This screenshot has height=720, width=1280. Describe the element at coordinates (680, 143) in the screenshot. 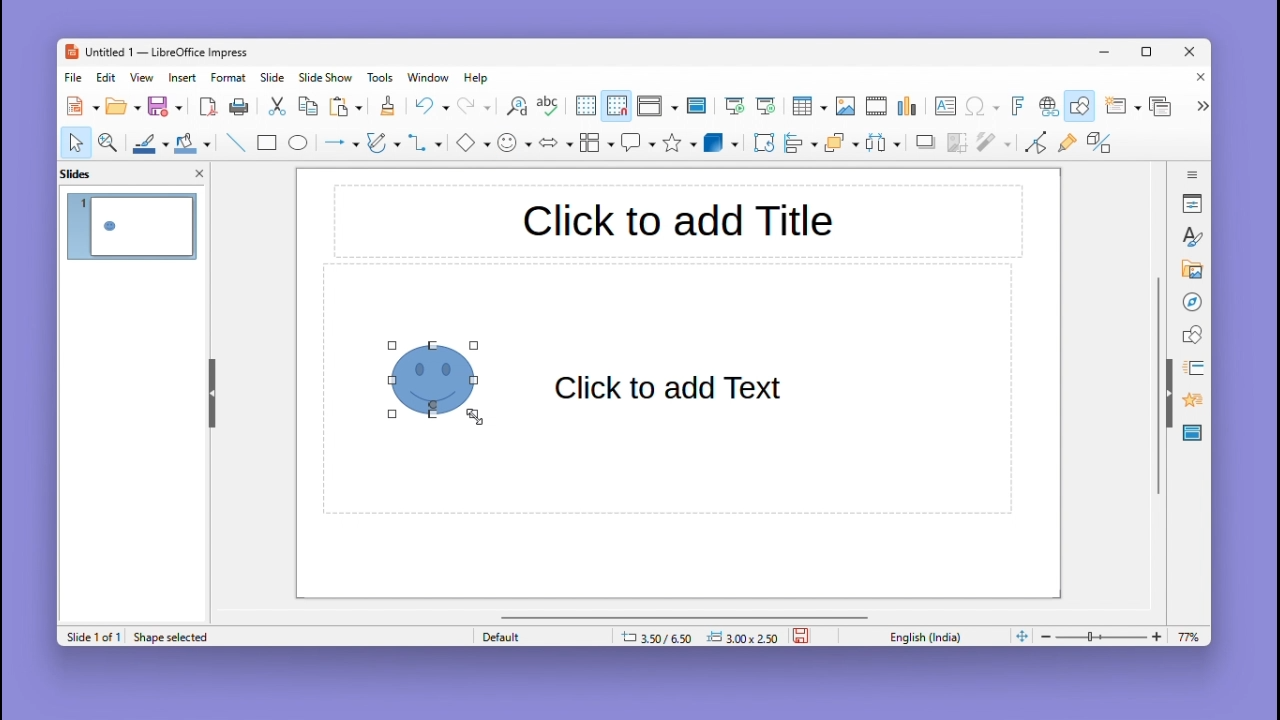

I see `Star` at that location.